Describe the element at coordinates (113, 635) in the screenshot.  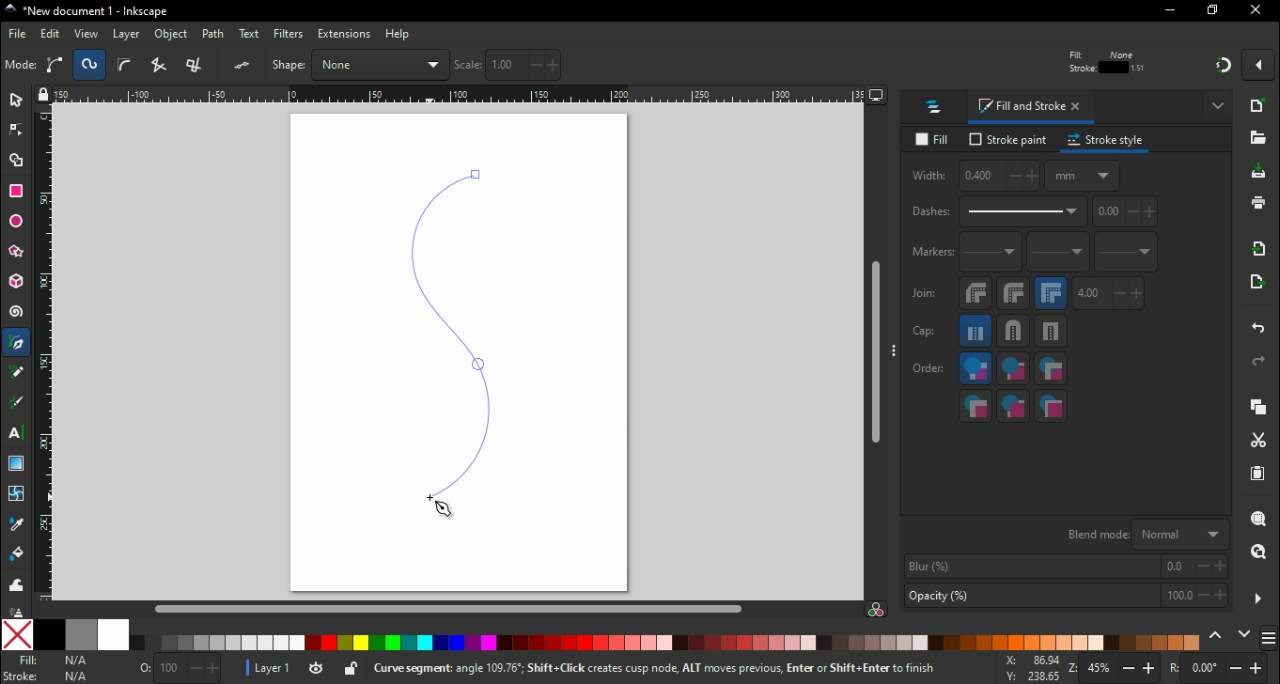
I see `white` at that location.